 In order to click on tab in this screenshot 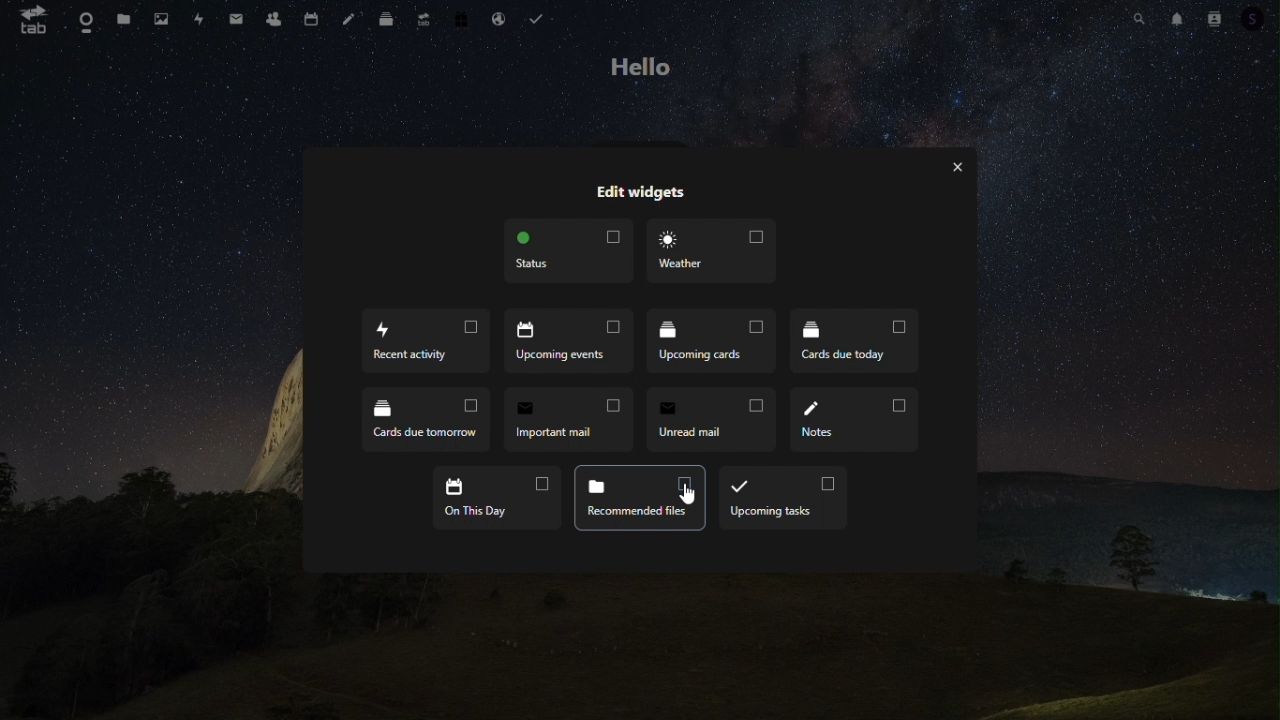, I will do `click(34, 22)`.